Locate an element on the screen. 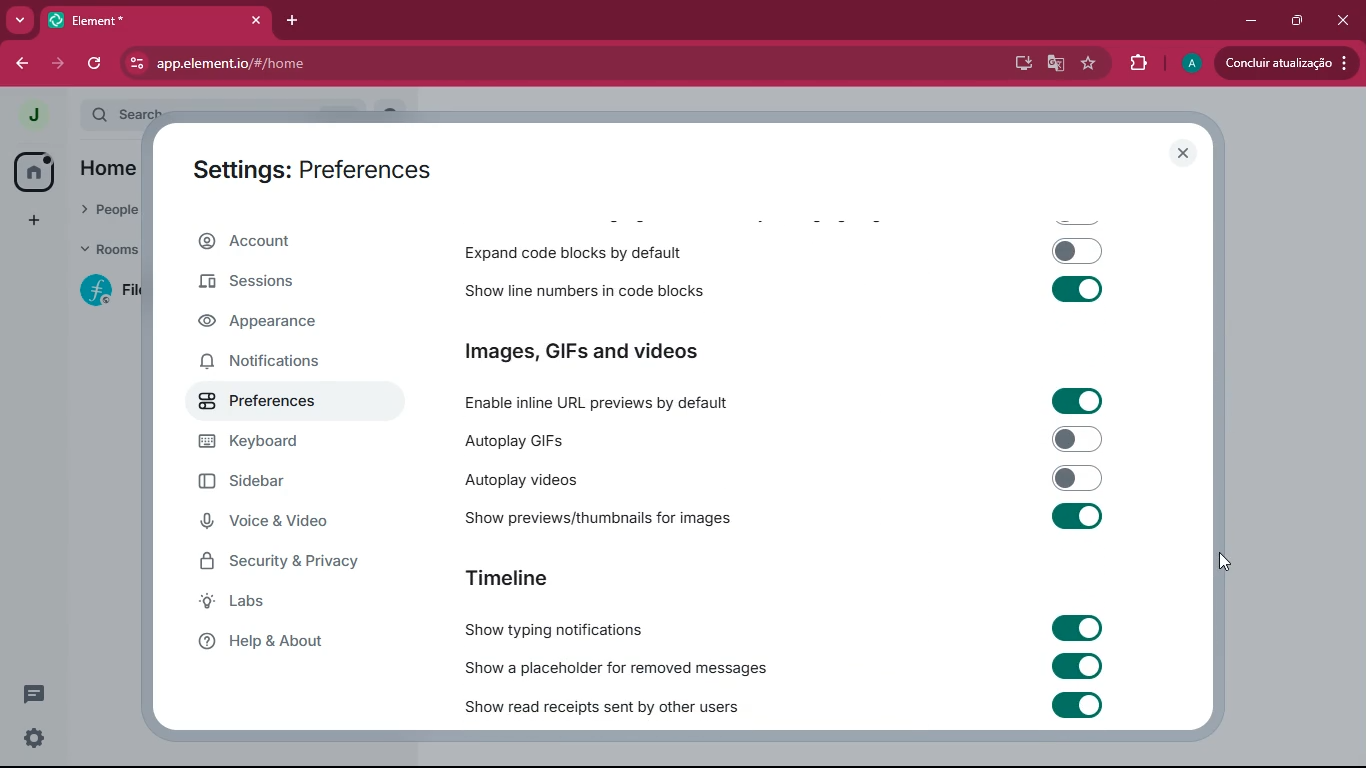 Image resolution: width=1366 pixels, height=768 pixels. forward is located at coordinates (56, 63).